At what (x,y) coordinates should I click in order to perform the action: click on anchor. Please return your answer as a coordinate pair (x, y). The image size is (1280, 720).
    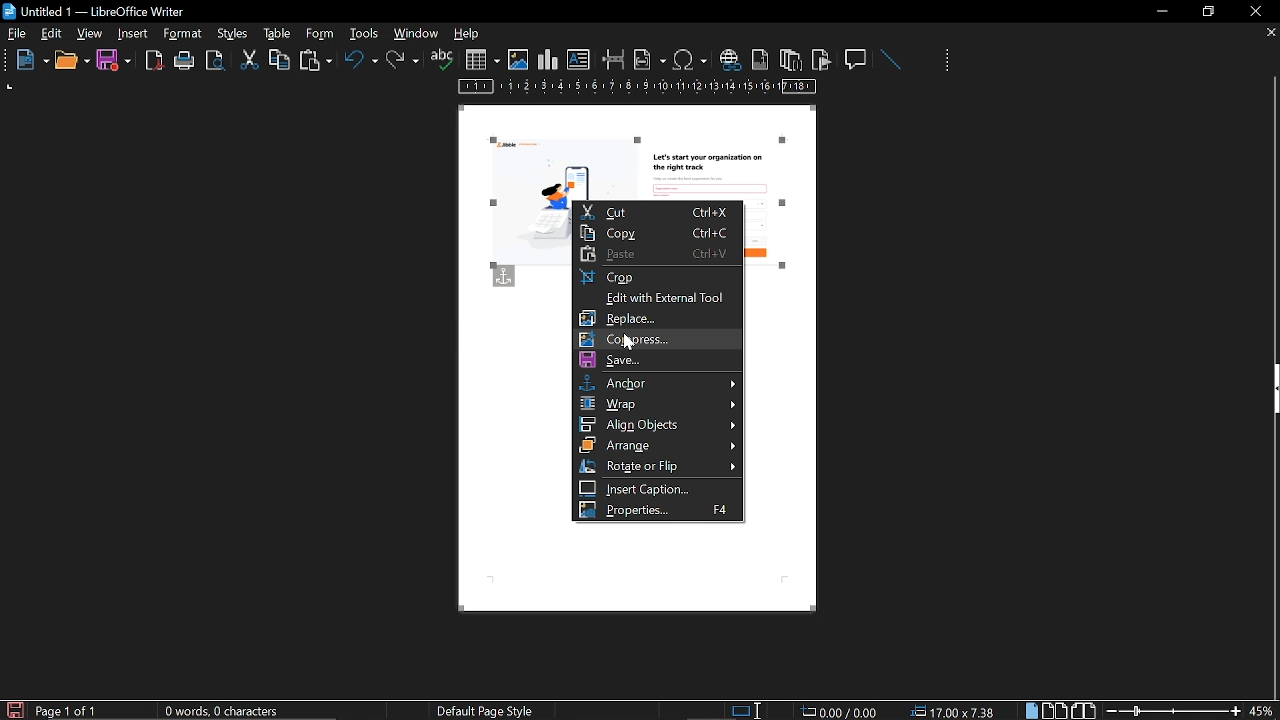
    Looking at the image, I should click on (659, 383).